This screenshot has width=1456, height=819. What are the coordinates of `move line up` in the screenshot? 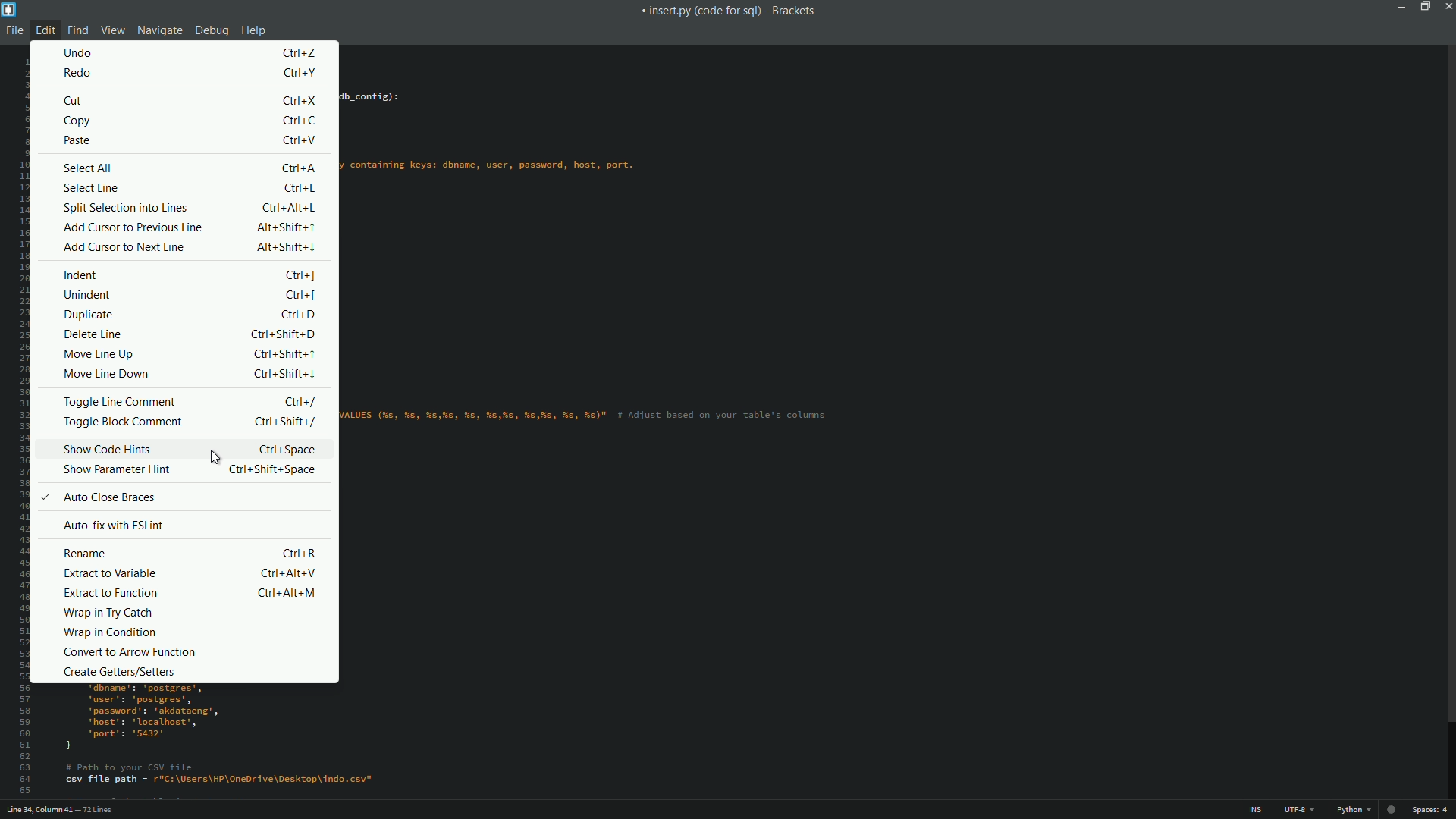 It's located at (99, 355).